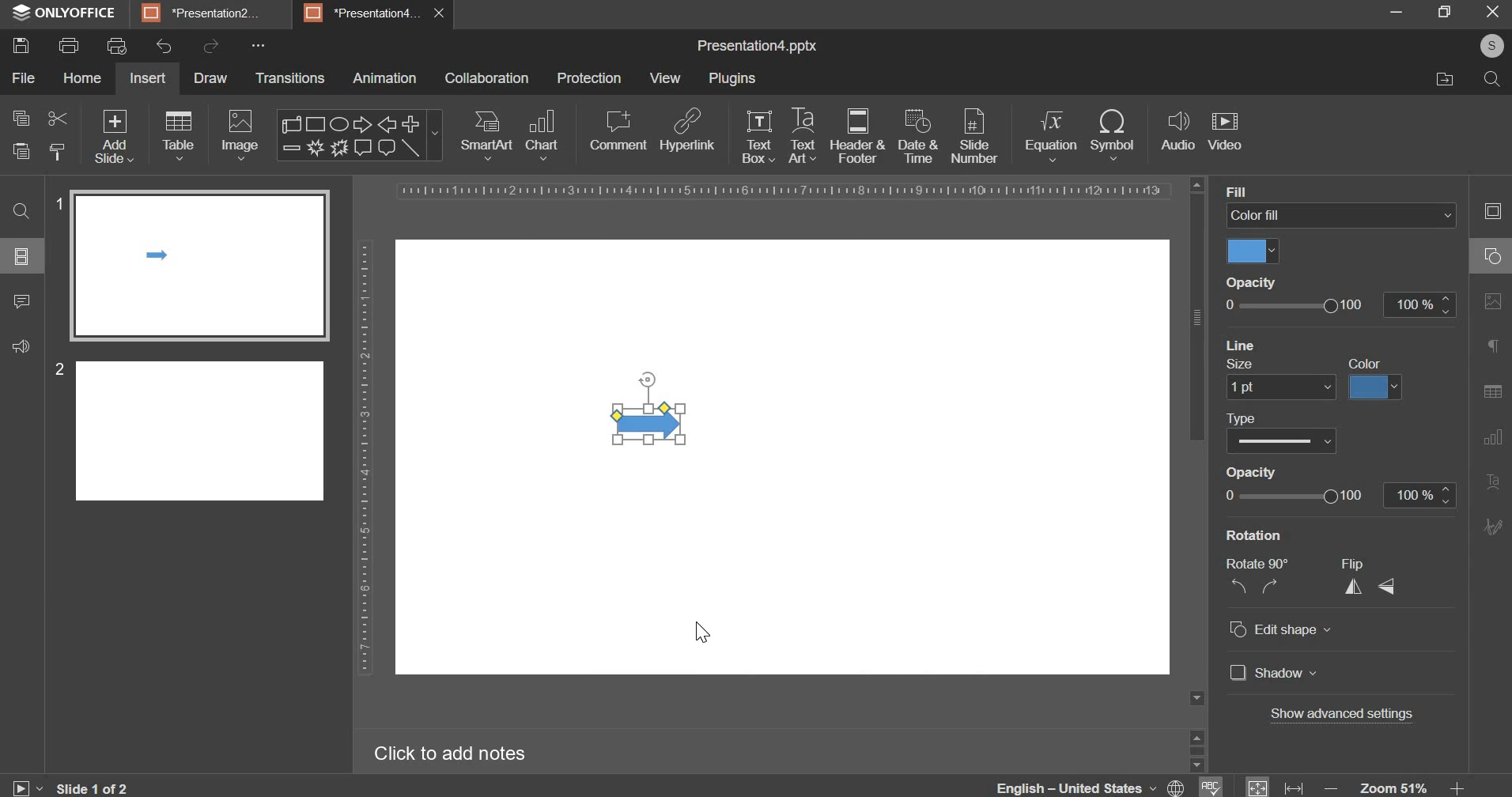  Describe the element at coordinates (455, 756) in the screenshot. I see `Click to add notes` at that location.